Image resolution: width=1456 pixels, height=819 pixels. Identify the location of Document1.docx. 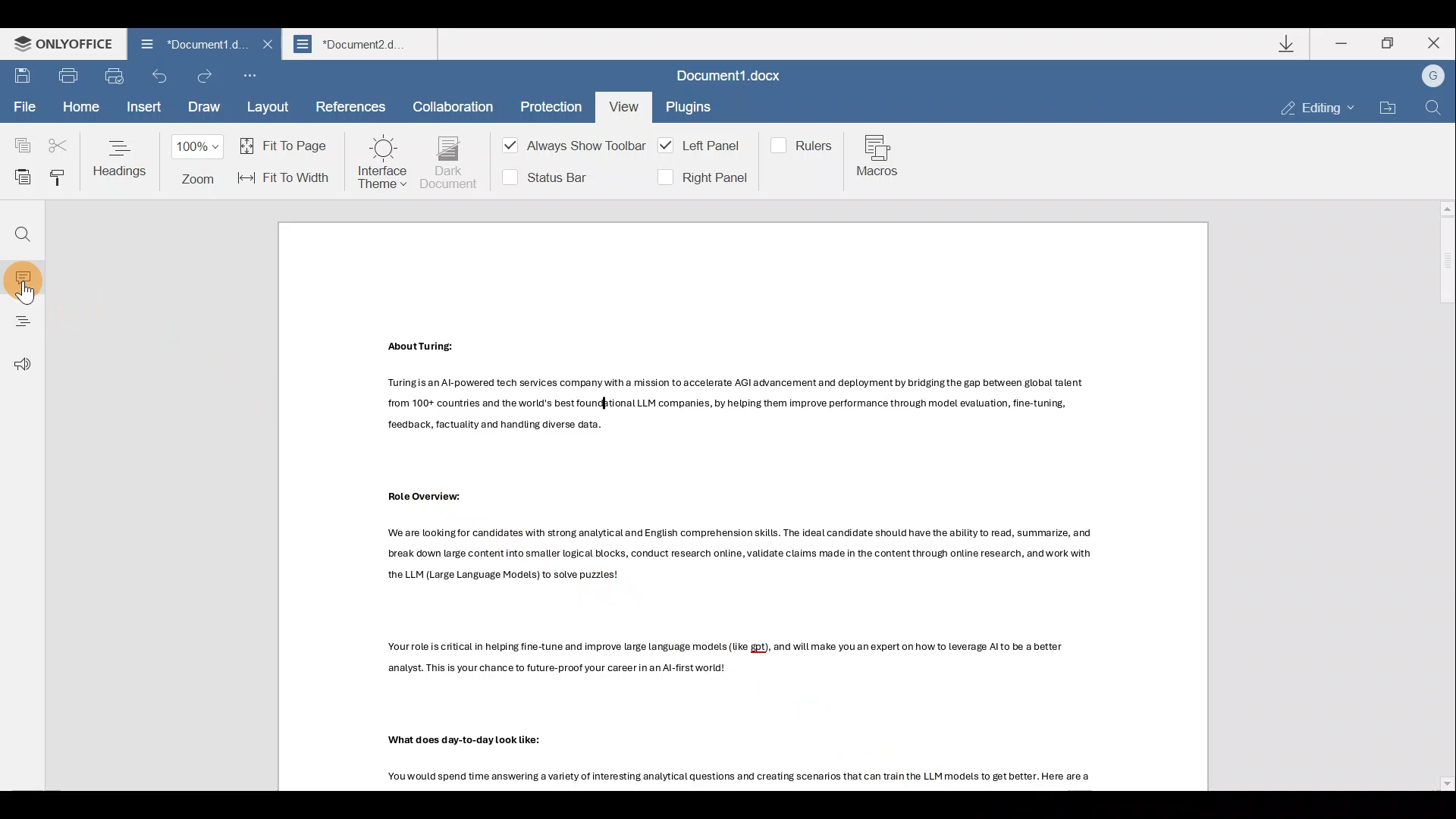
(733, 78).